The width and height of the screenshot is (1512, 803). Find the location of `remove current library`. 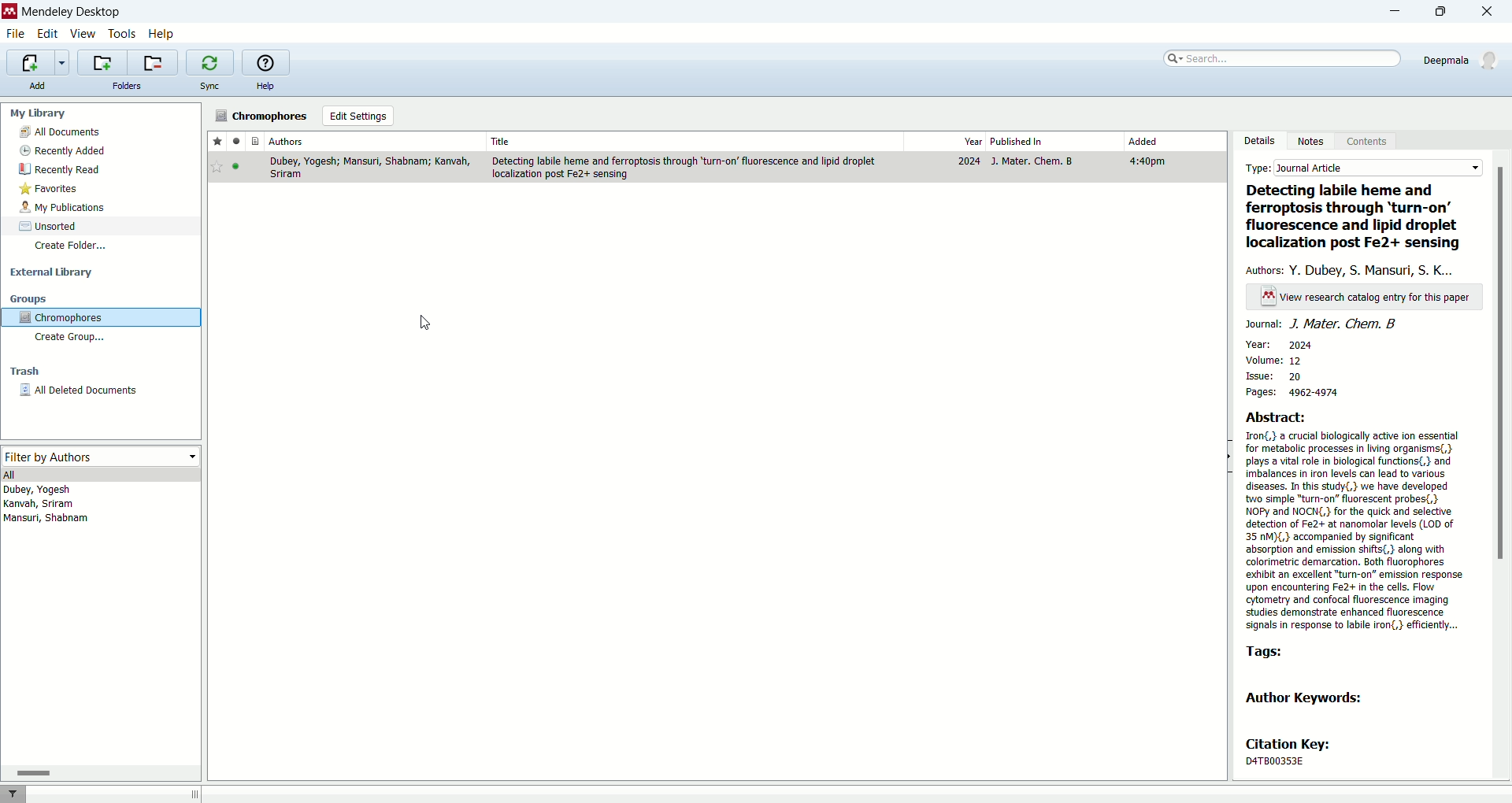

remove current library is located at coordinates (154, 62).